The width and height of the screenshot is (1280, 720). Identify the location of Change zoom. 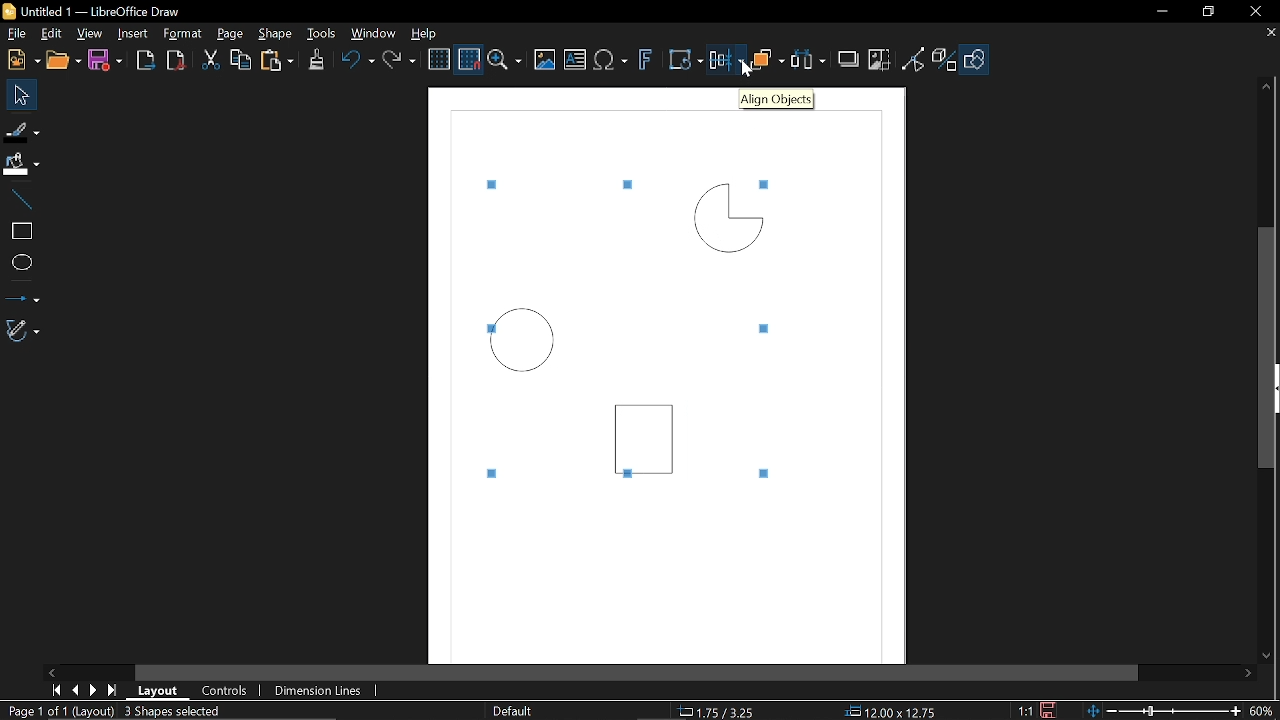
(1162, 712).